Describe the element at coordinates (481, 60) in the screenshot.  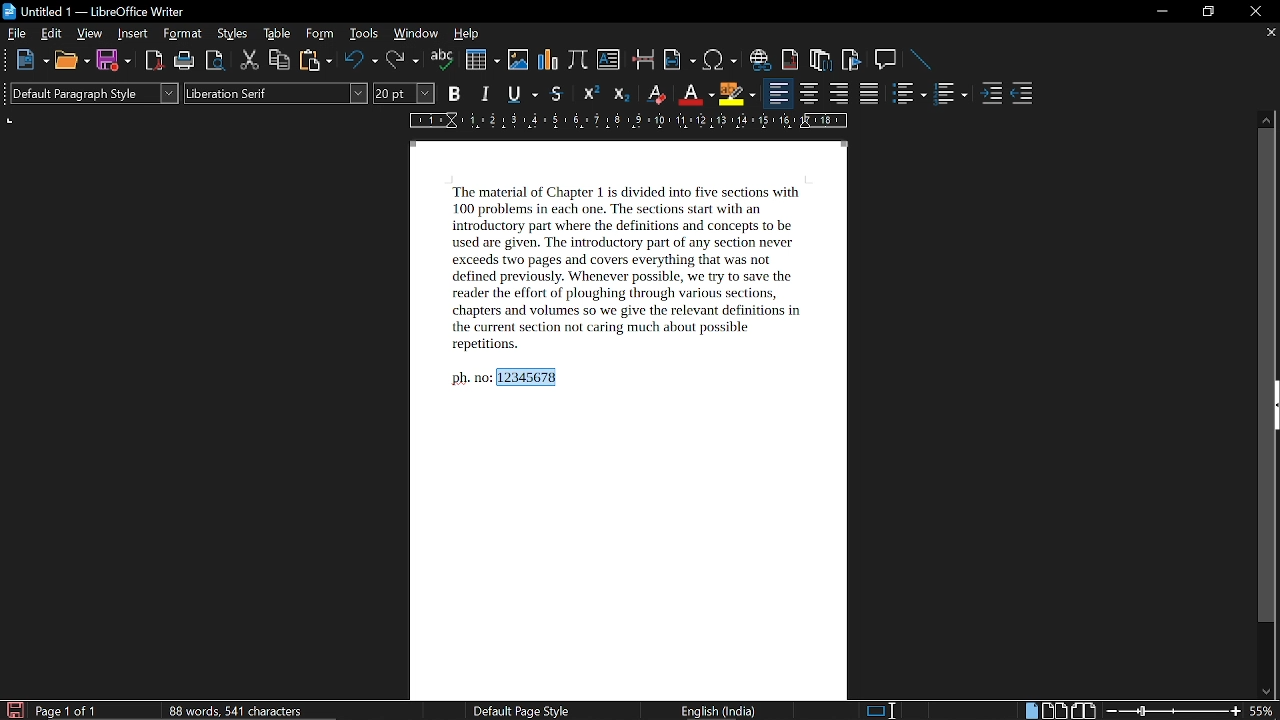
I see `insert table` at that location.